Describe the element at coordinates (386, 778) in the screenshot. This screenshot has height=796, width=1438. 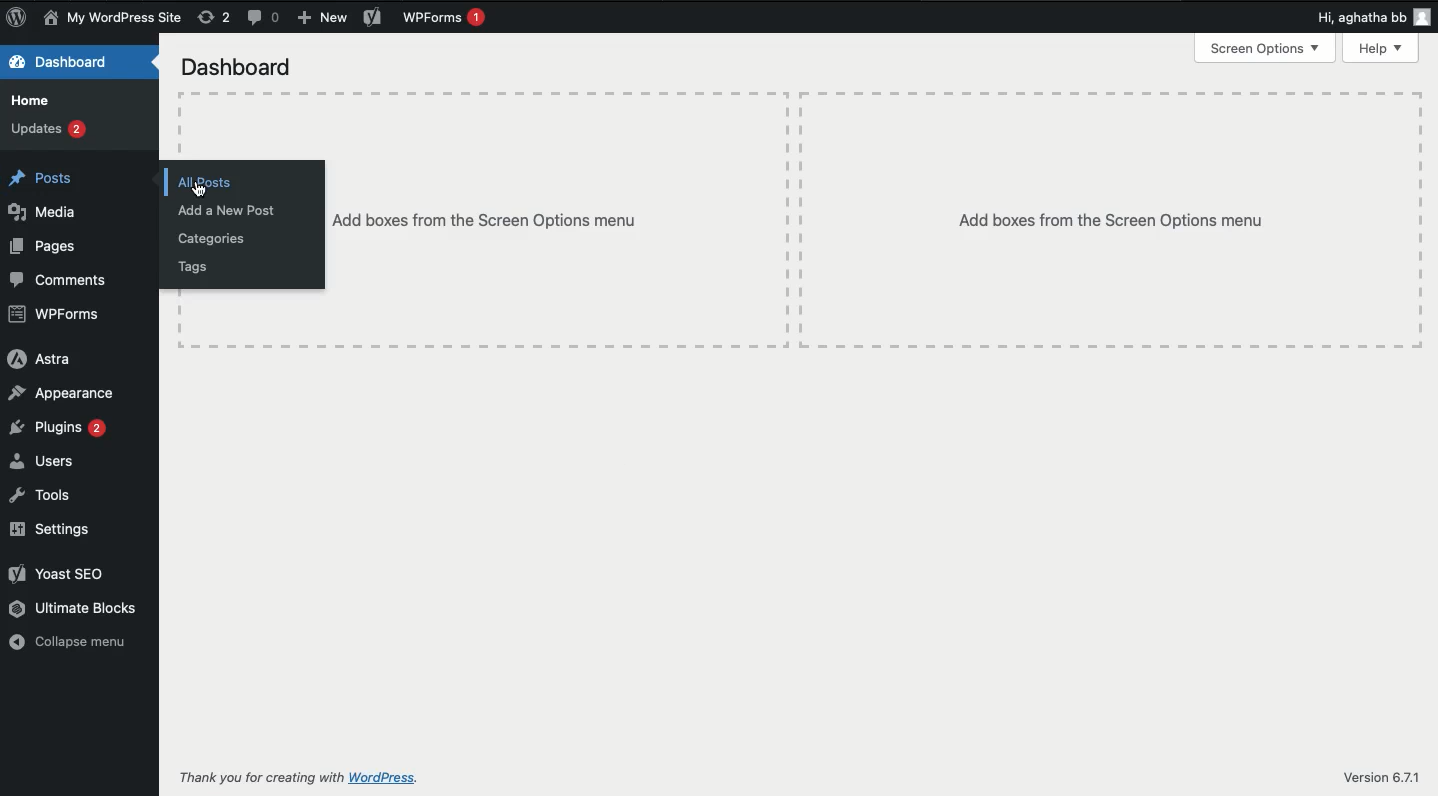
I see `wordpress` at that location.